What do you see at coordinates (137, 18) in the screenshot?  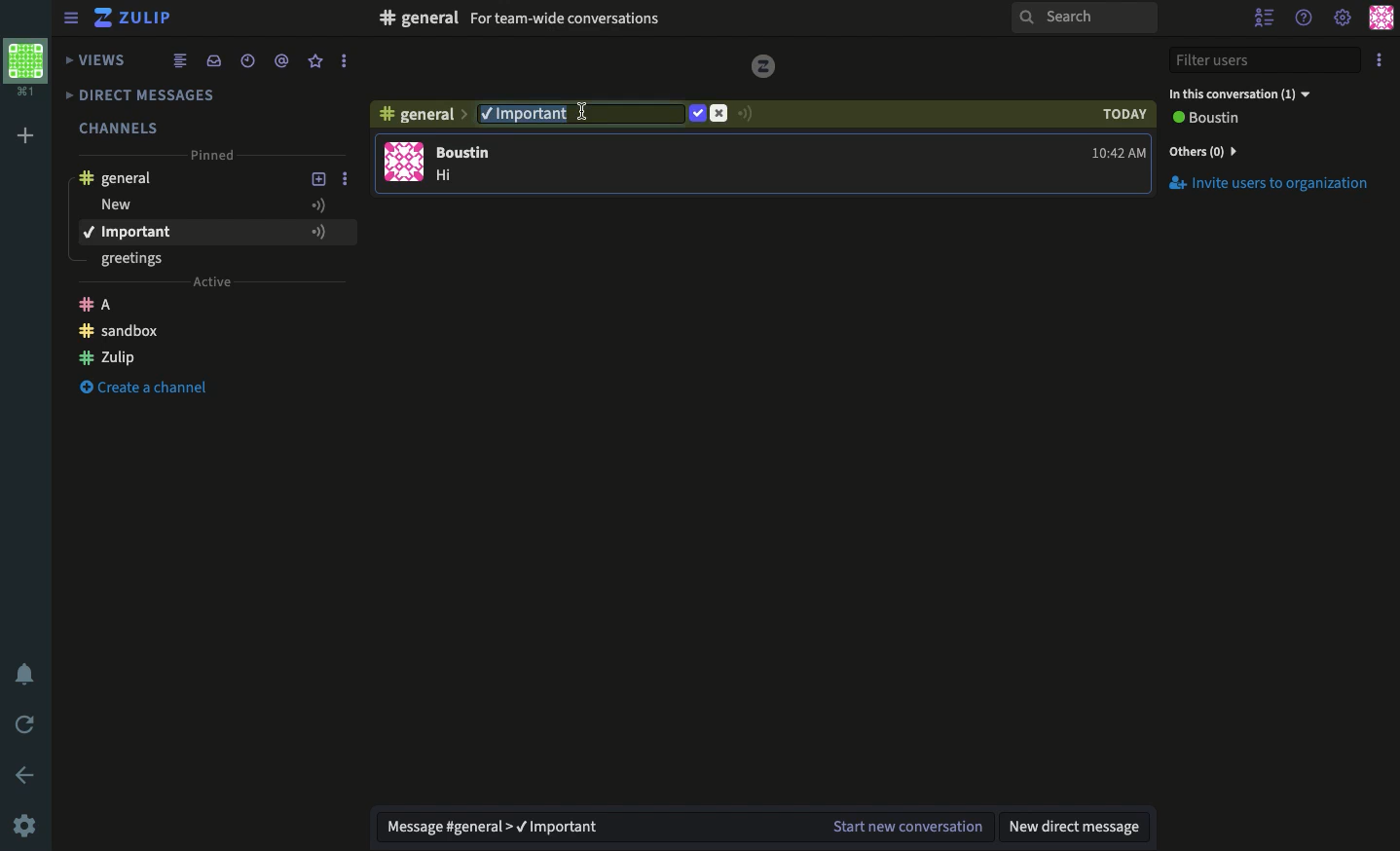 I see `Zulip` at bounding box center [137, 18].